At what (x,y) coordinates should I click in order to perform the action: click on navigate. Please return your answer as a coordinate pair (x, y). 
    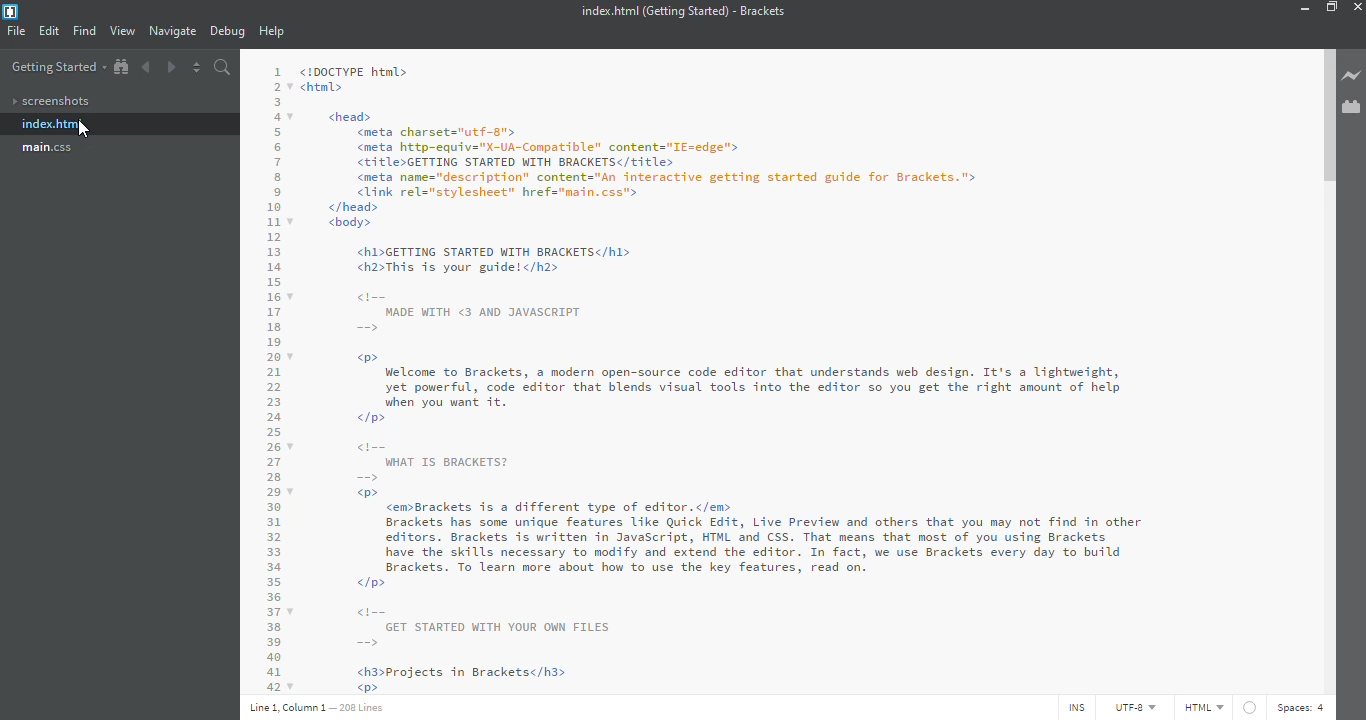
    Looking at the image, I should click on (173, 31).